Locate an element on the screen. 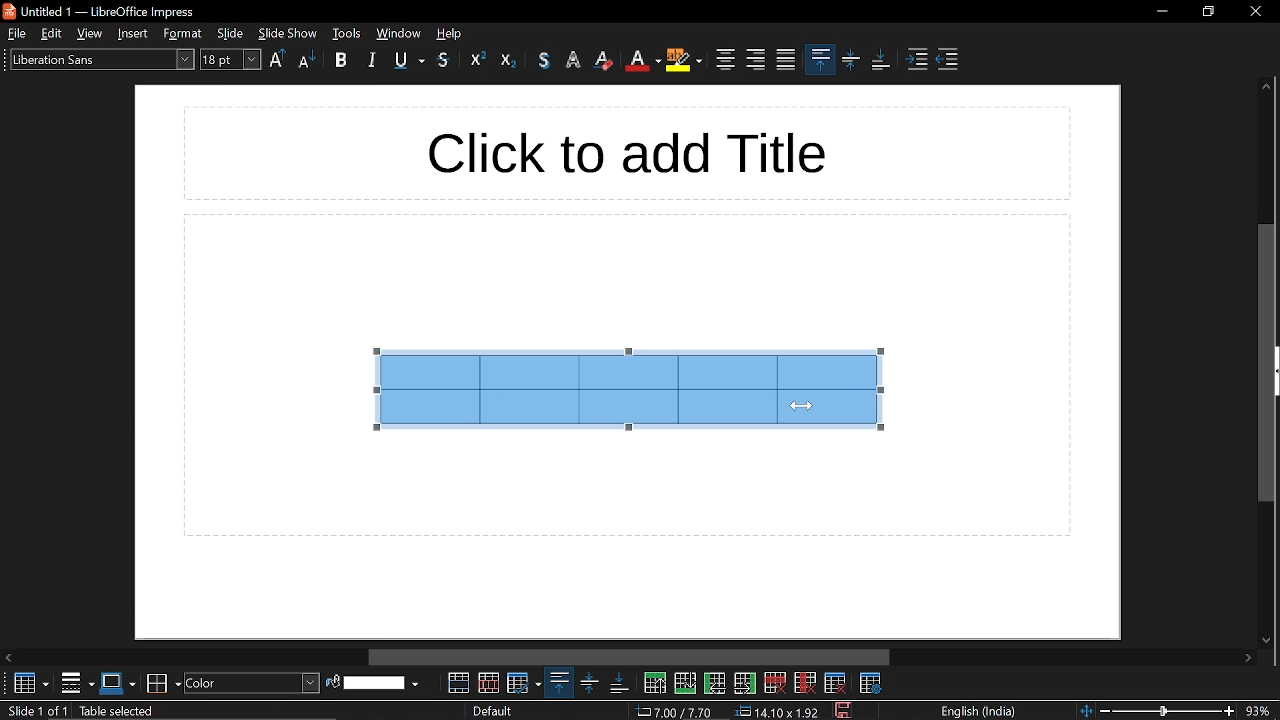 The width and height of the screenshot is (1280, 720). insert column after is located at coordinates (746, 684).